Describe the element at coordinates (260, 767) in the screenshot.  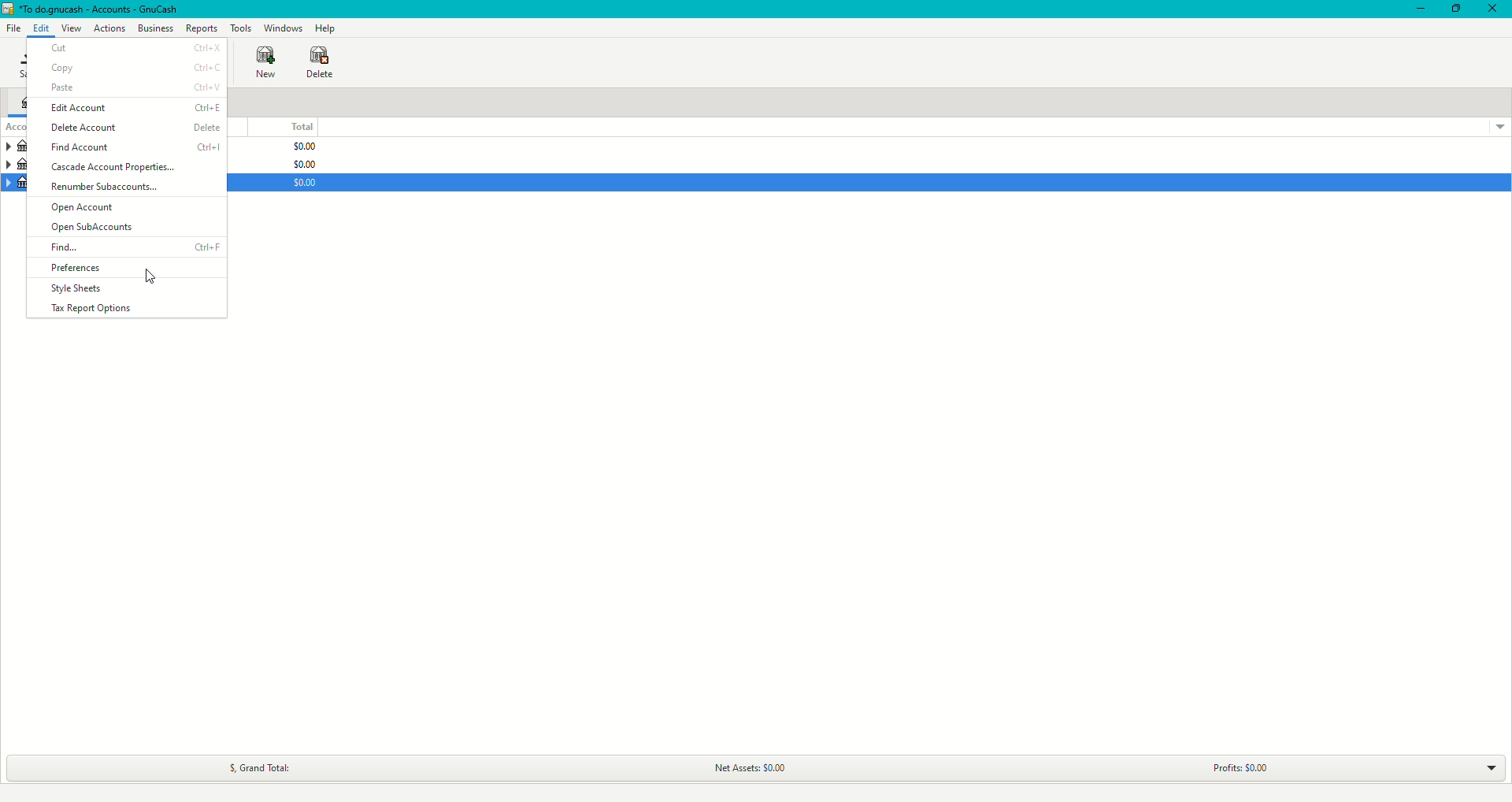
I see `Grand Total` at that location.